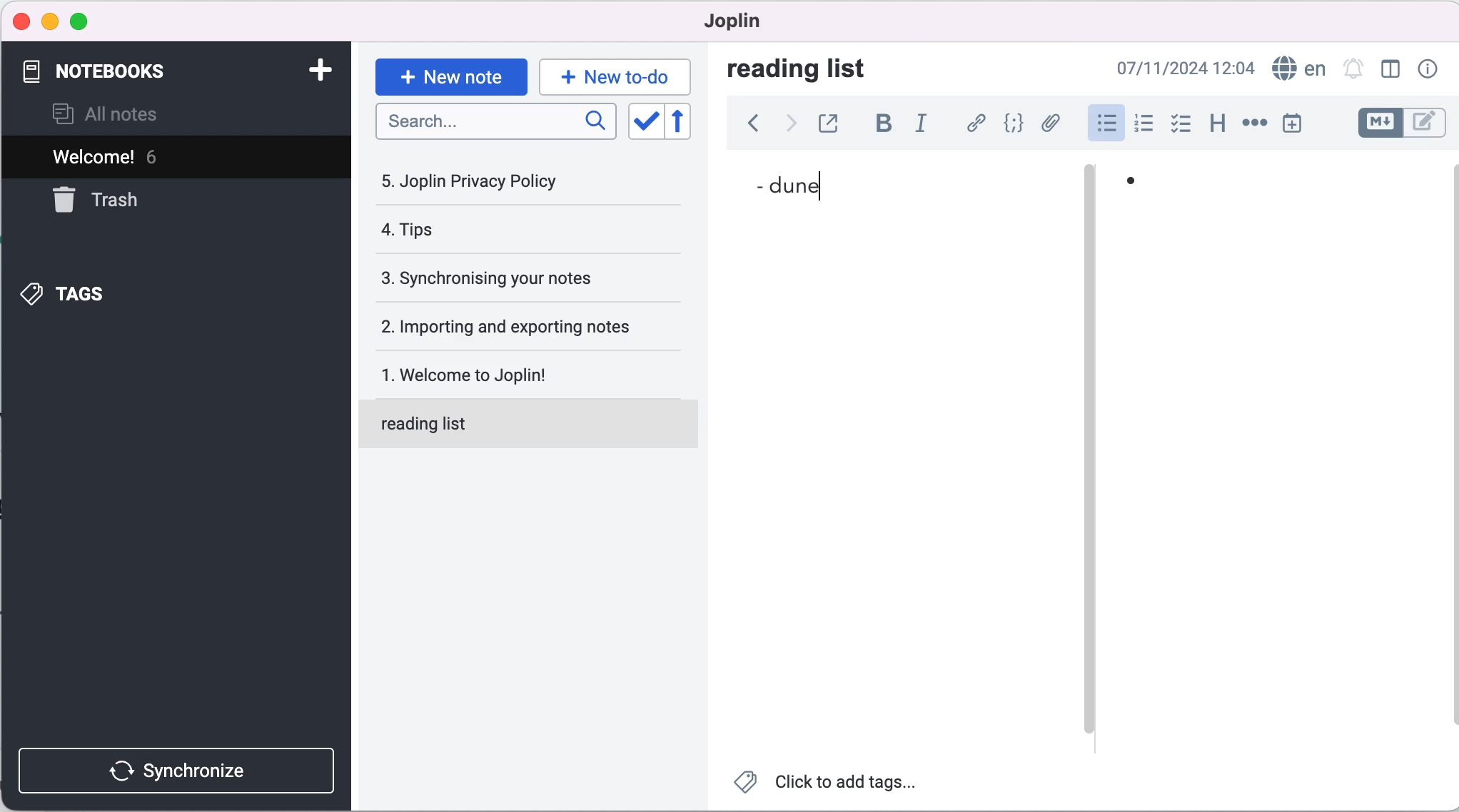 The width and height of the screenshot is (1459, 812). I want to click on importing and exporting notes, so click(529, 327).